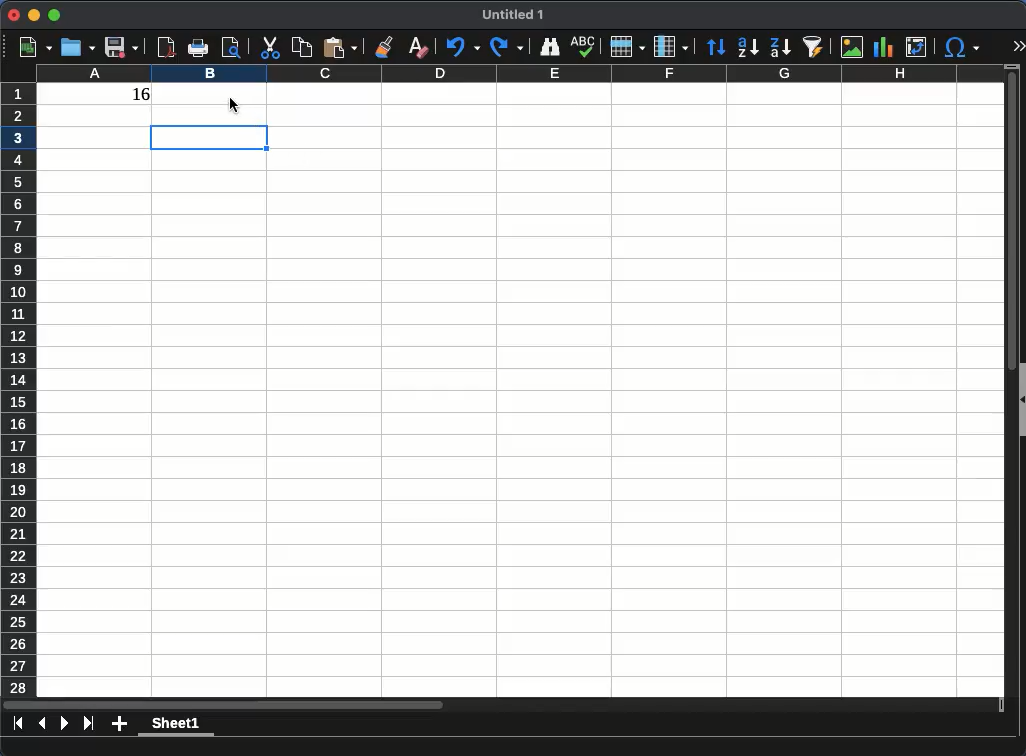 This screenshot has width=1026, height=756. I want to click on collapse, so click(1020, 401).